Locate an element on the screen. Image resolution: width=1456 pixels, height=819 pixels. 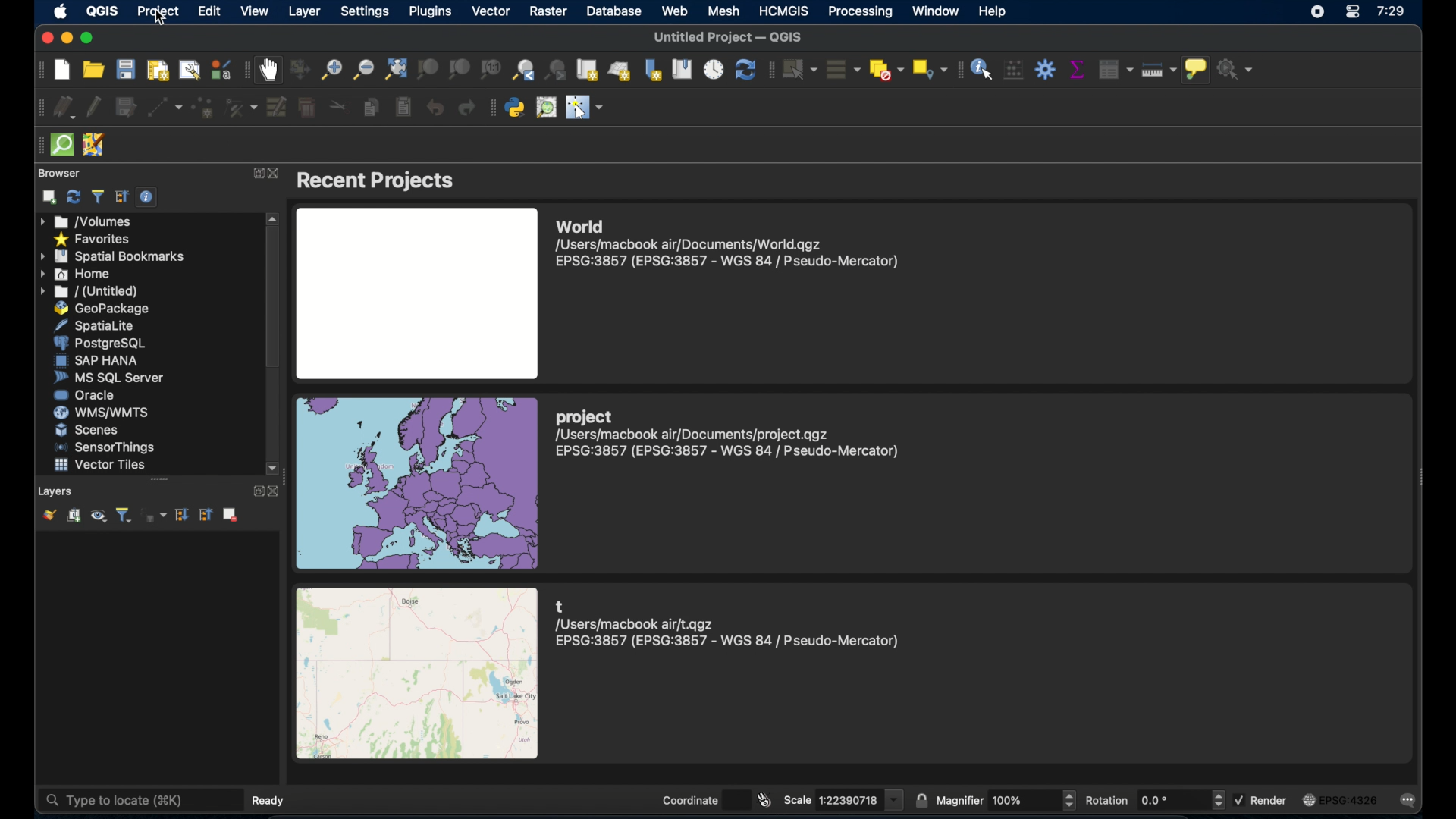
sensor things is located at coordinates (104, 448).